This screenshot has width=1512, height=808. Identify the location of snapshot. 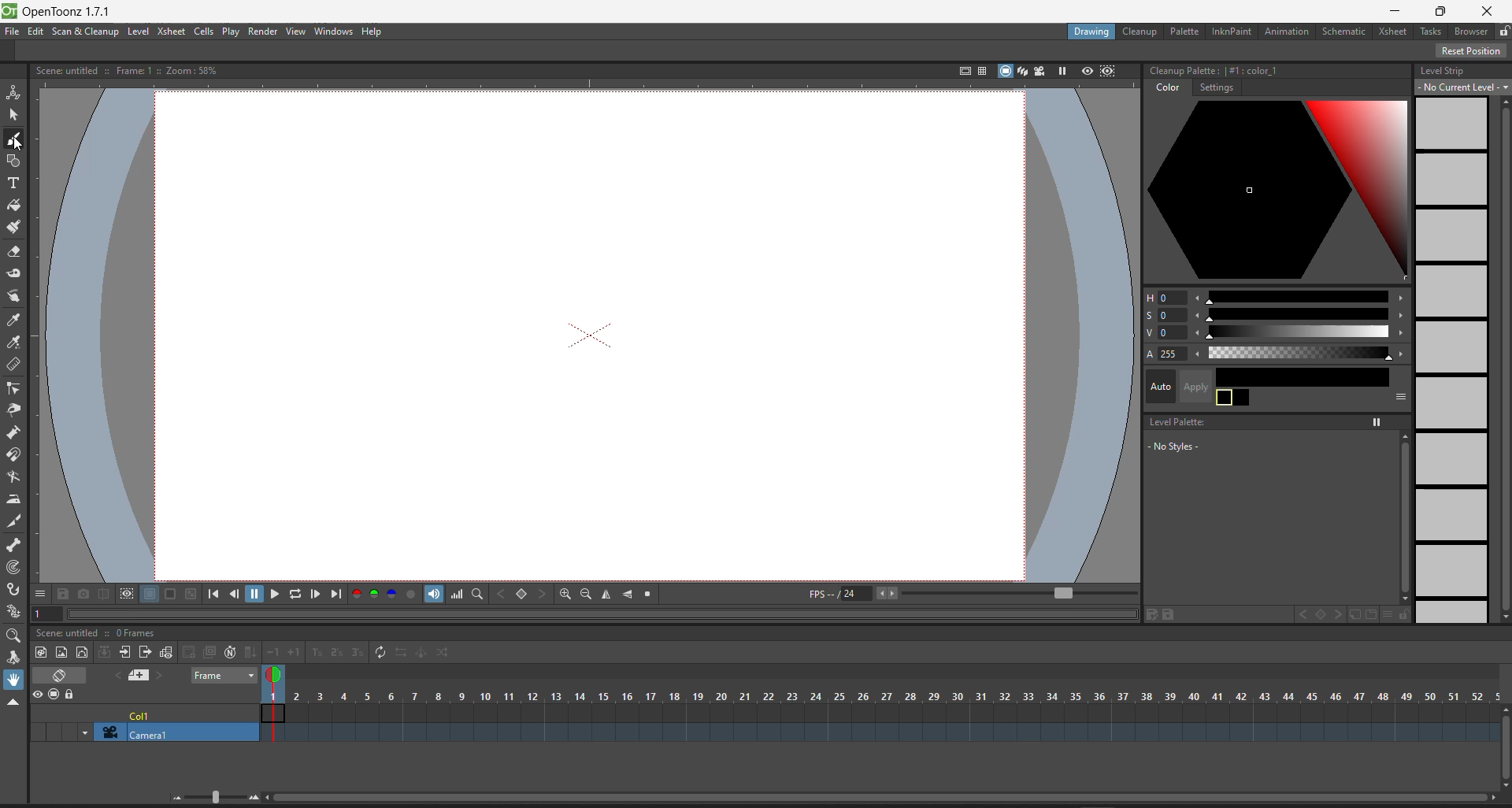
(83, 593).